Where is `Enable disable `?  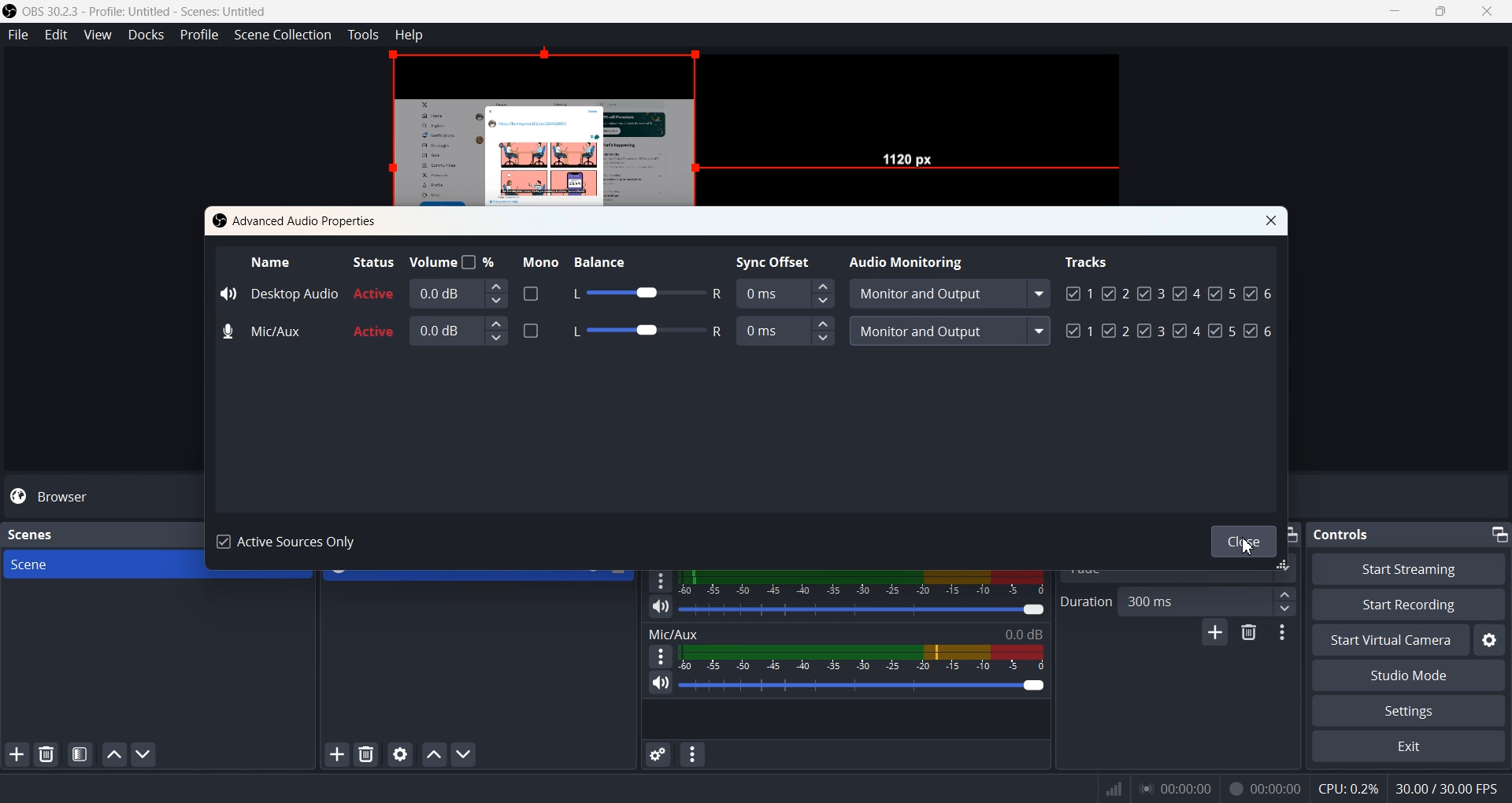 Enable disable  is located at coordinates (531, 293).